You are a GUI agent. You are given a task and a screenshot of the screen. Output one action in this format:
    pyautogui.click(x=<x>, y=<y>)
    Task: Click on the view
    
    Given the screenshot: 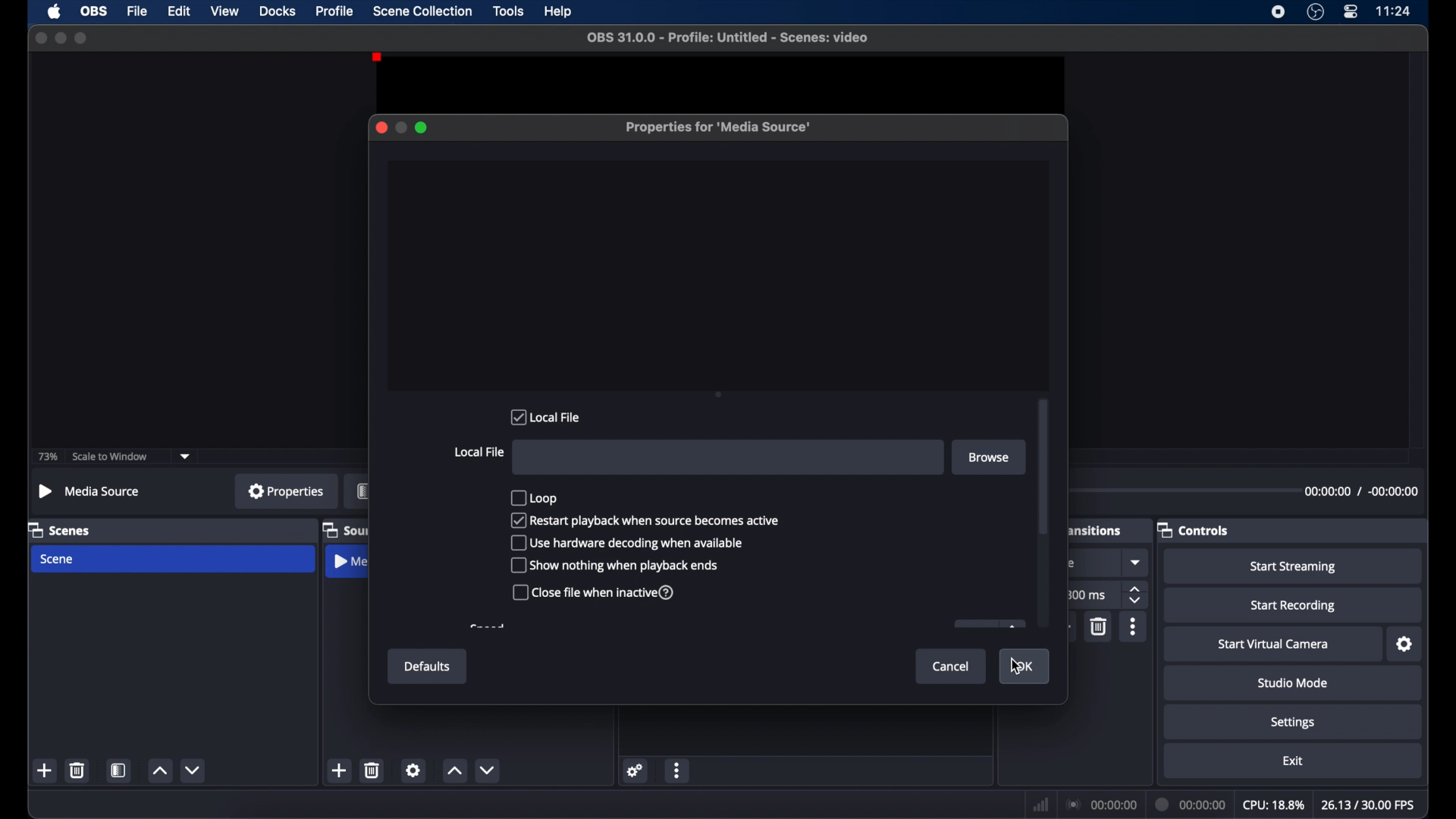 What is the action you would take?
    pyautogui.click(x=226, y=11)
    